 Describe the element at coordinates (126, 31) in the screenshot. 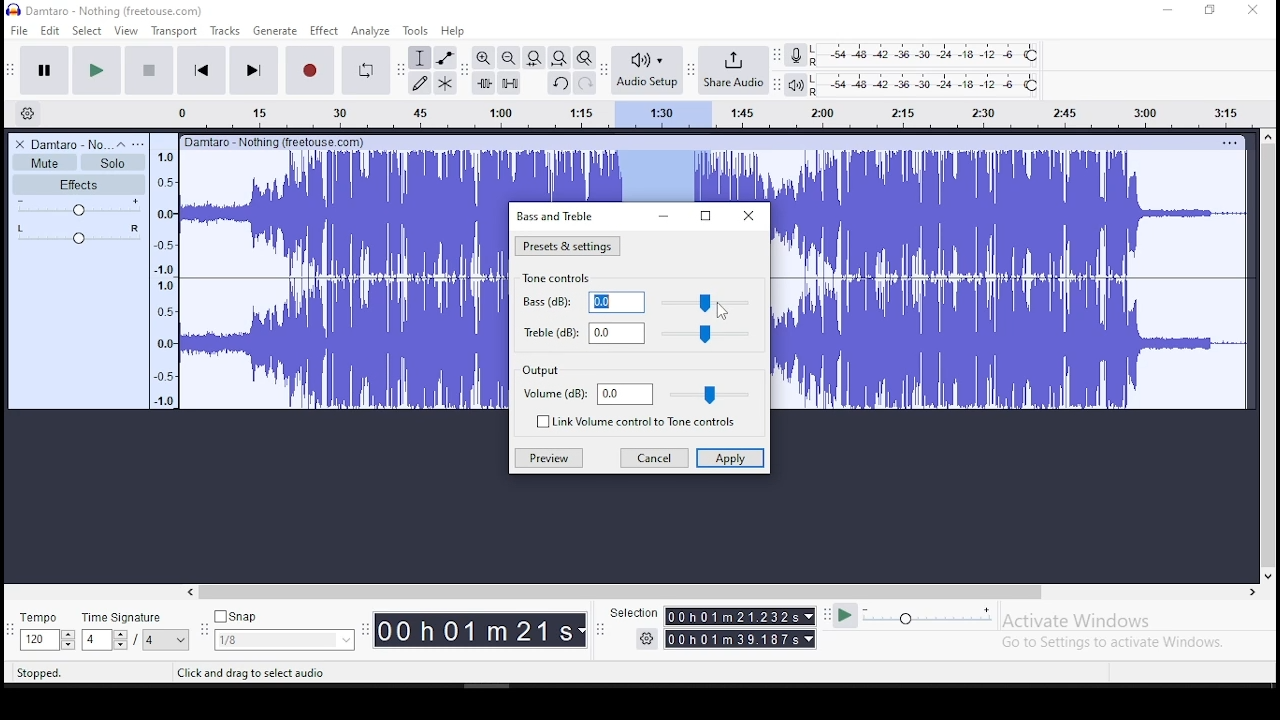

I see `view` at that location.